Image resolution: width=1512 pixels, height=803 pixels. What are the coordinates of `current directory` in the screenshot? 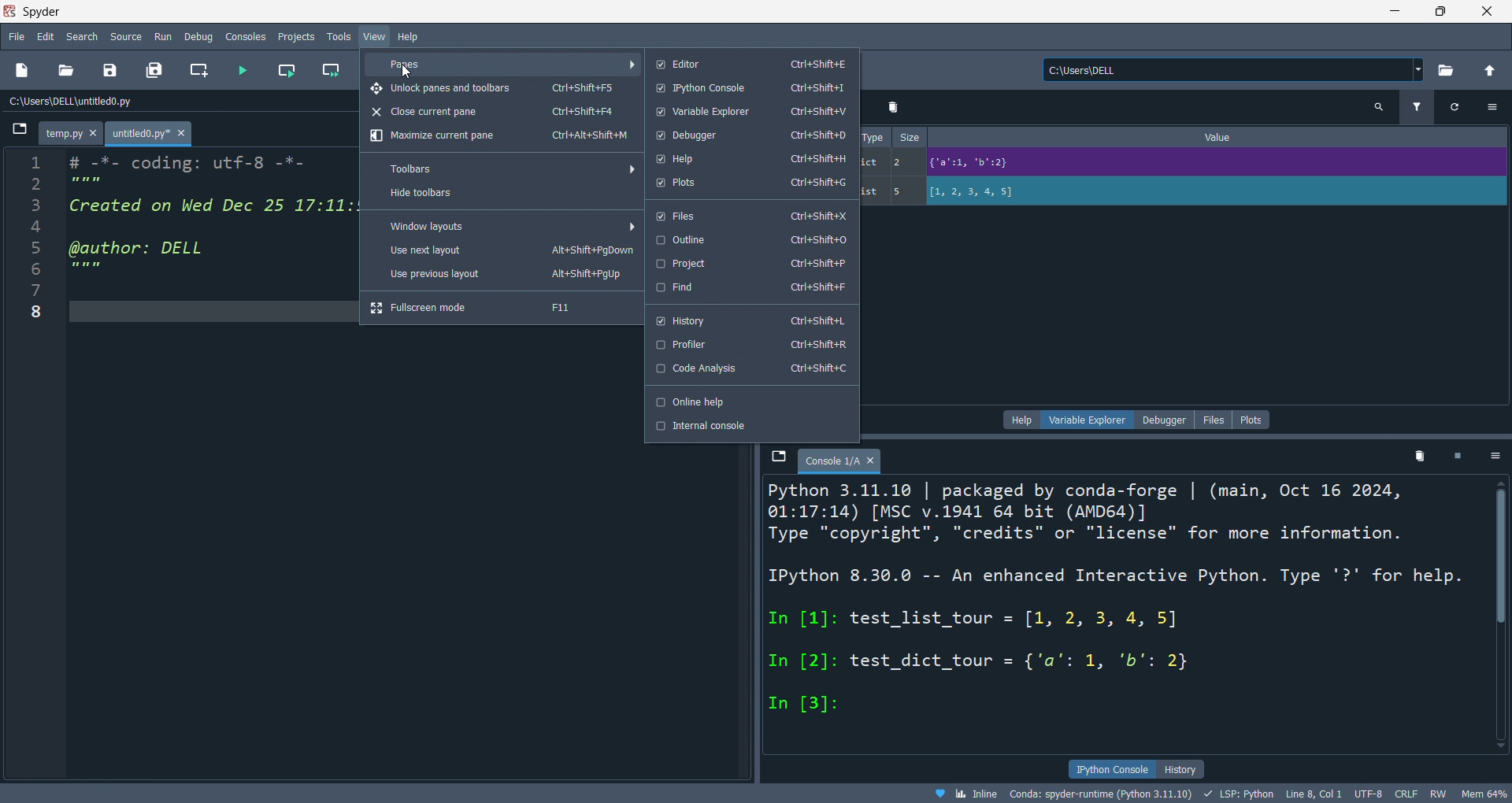 It's located at (1233, 71).